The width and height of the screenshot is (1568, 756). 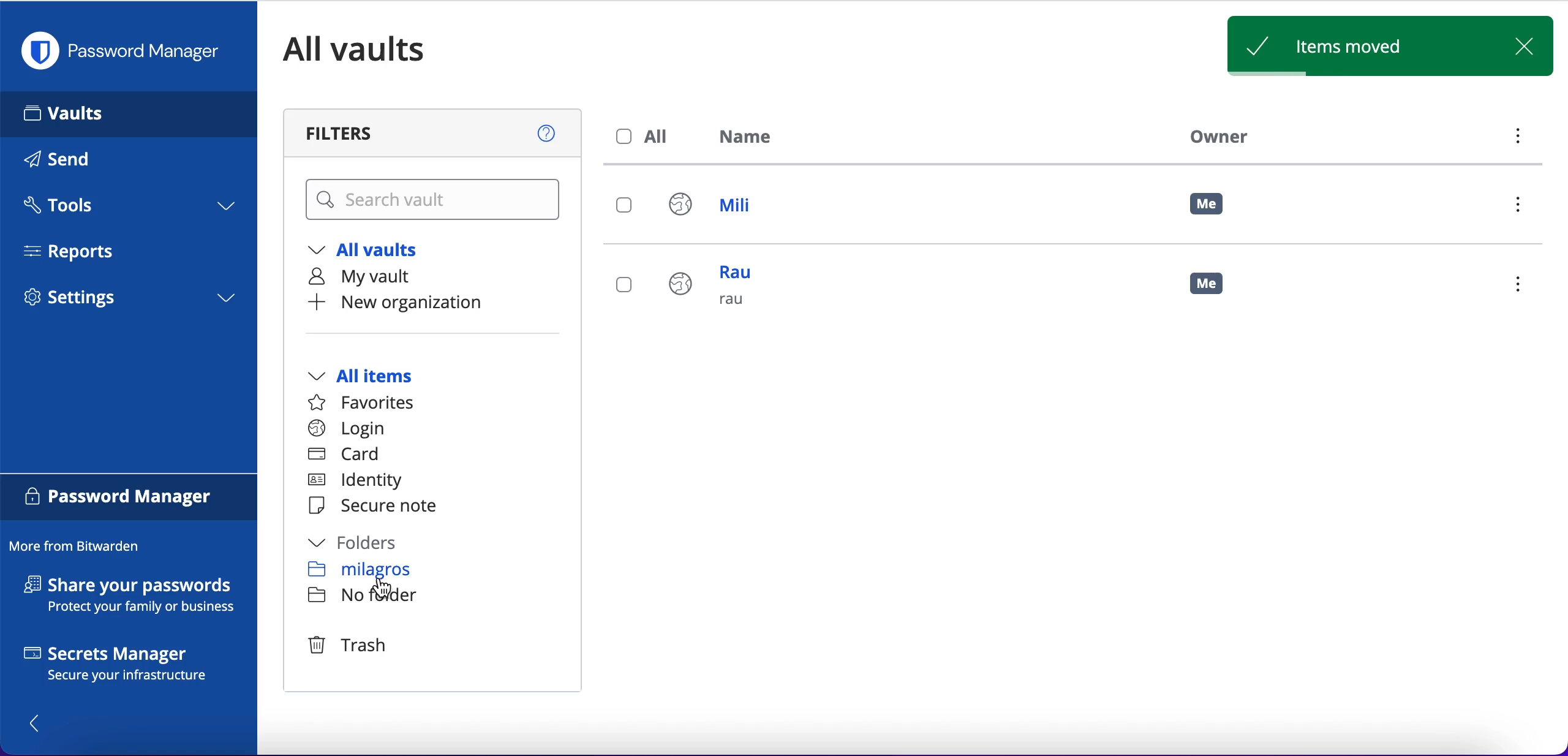 I want to click on menu, so click(x=1523, y=286).